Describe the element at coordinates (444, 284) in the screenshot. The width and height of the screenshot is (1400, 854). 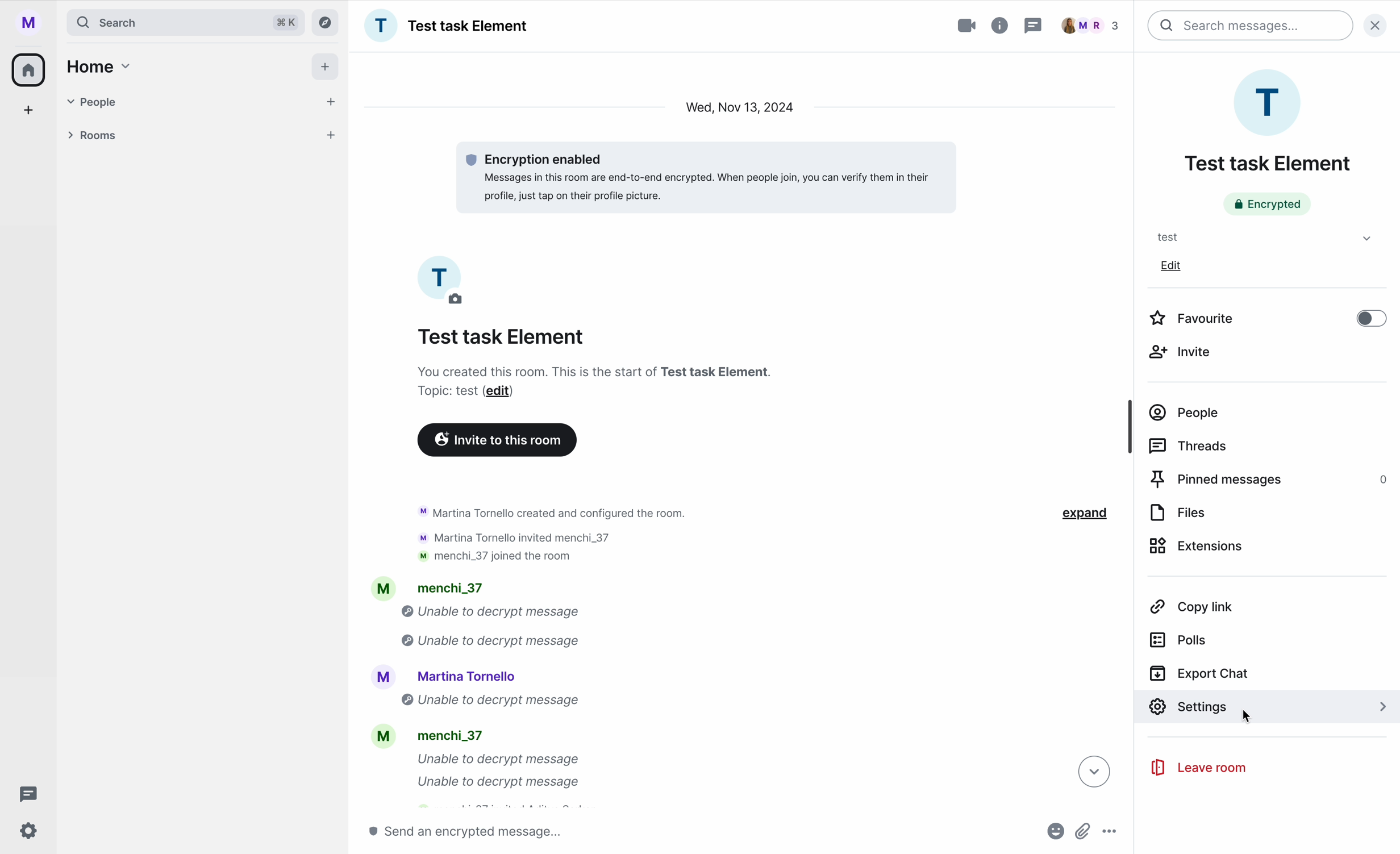
I see `picture profile` at that location.